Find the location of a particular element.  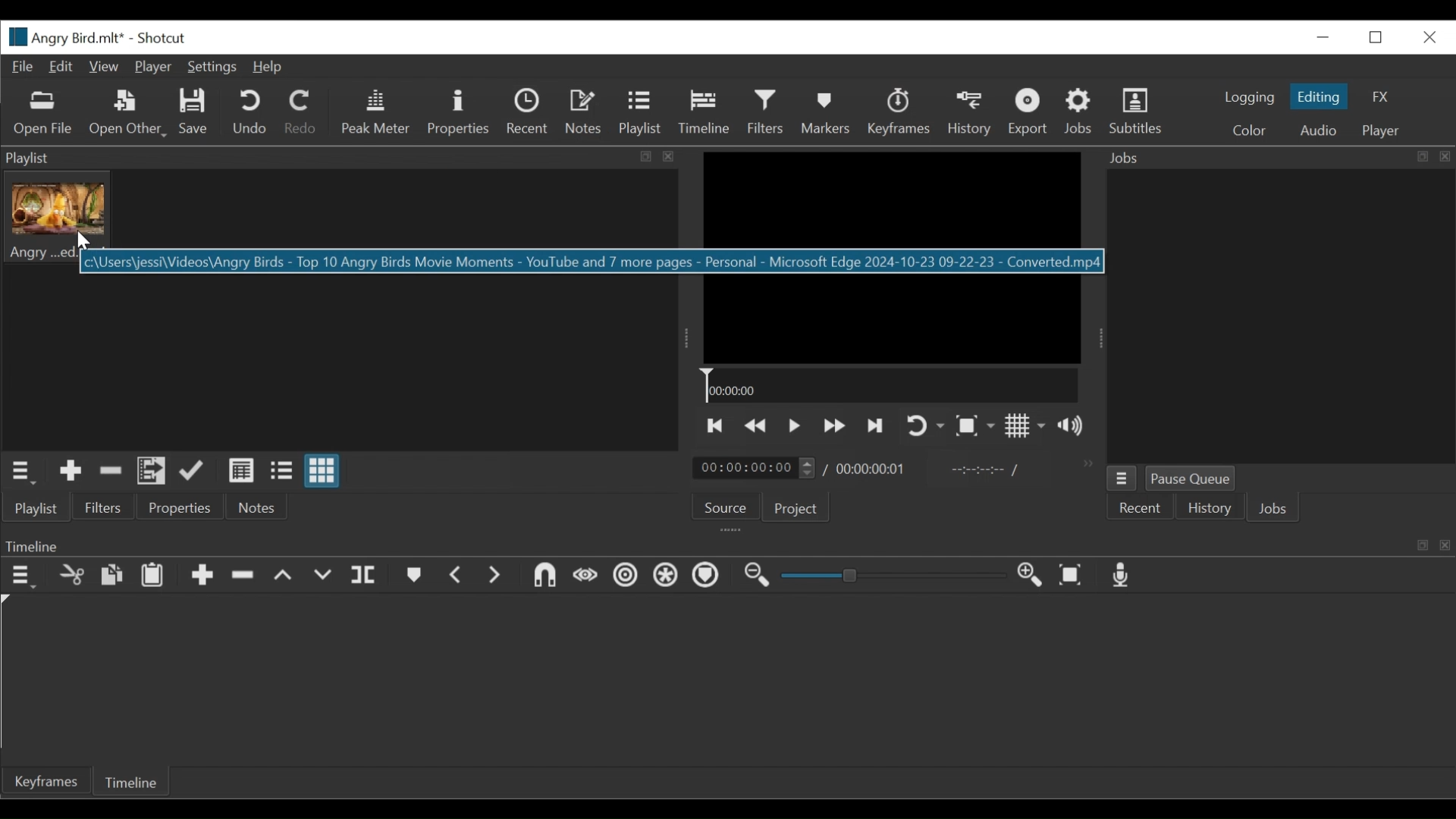

Update is located at coordinates (192, 471).